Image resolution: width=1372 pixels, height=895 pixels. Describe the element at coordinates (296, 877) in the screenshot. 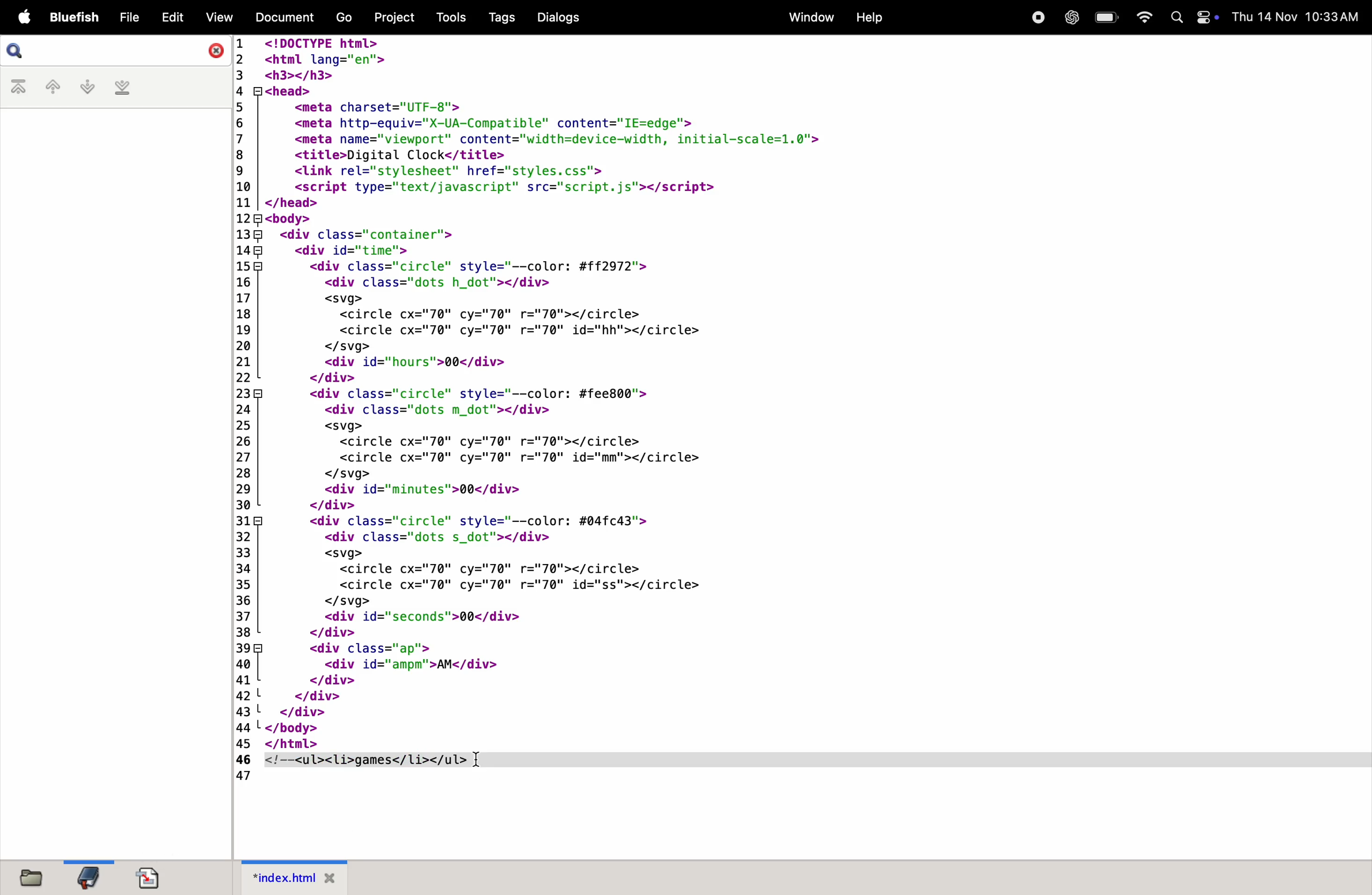

I see `index.html` at that location.